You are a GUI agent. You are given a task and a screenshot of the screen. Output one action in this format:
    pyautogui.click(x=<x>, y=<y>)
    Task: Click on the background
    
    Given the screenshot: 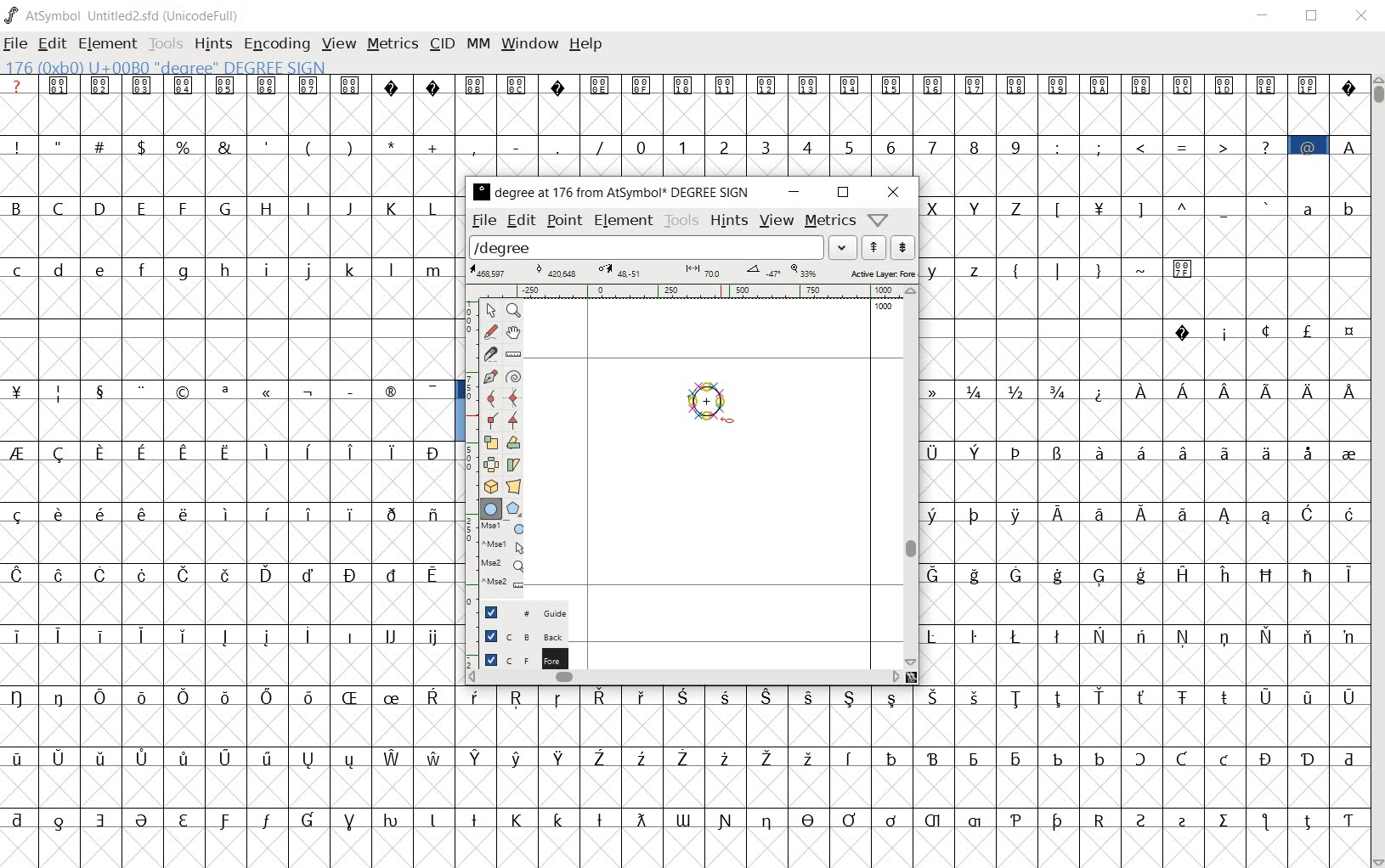 What is the action you would take?
    pyautogui.click(x=514, y=638)
    